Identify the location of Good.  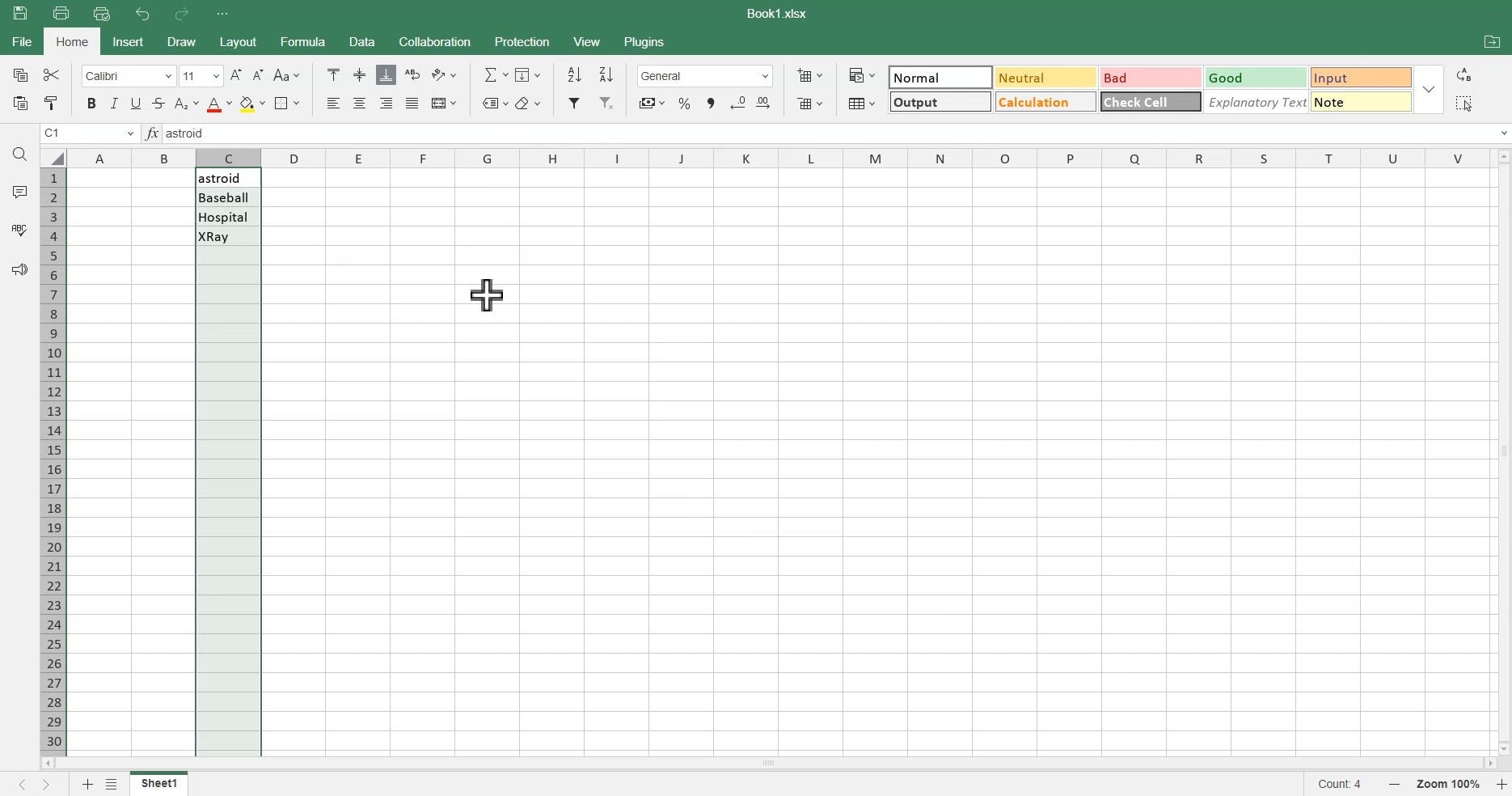
(1252, 75).